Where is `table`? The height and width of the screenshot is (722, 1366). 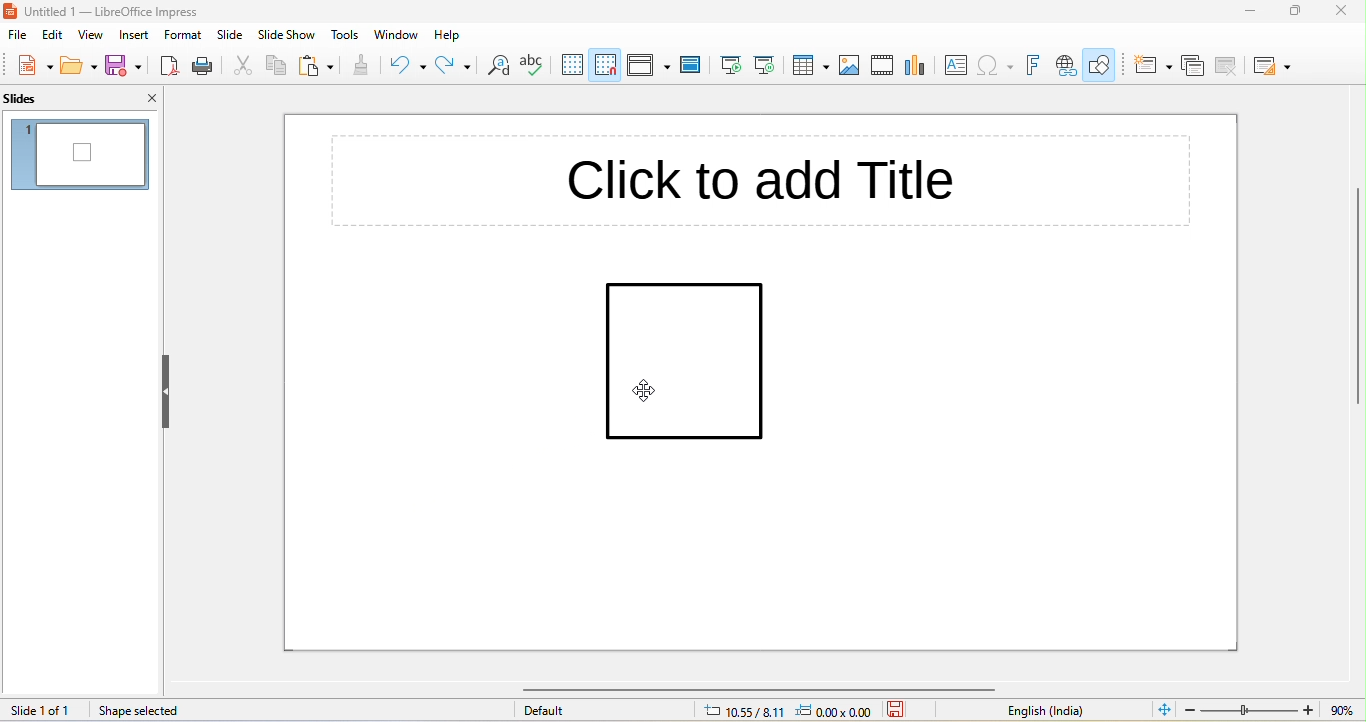 table is located at coordinates (809, 65).